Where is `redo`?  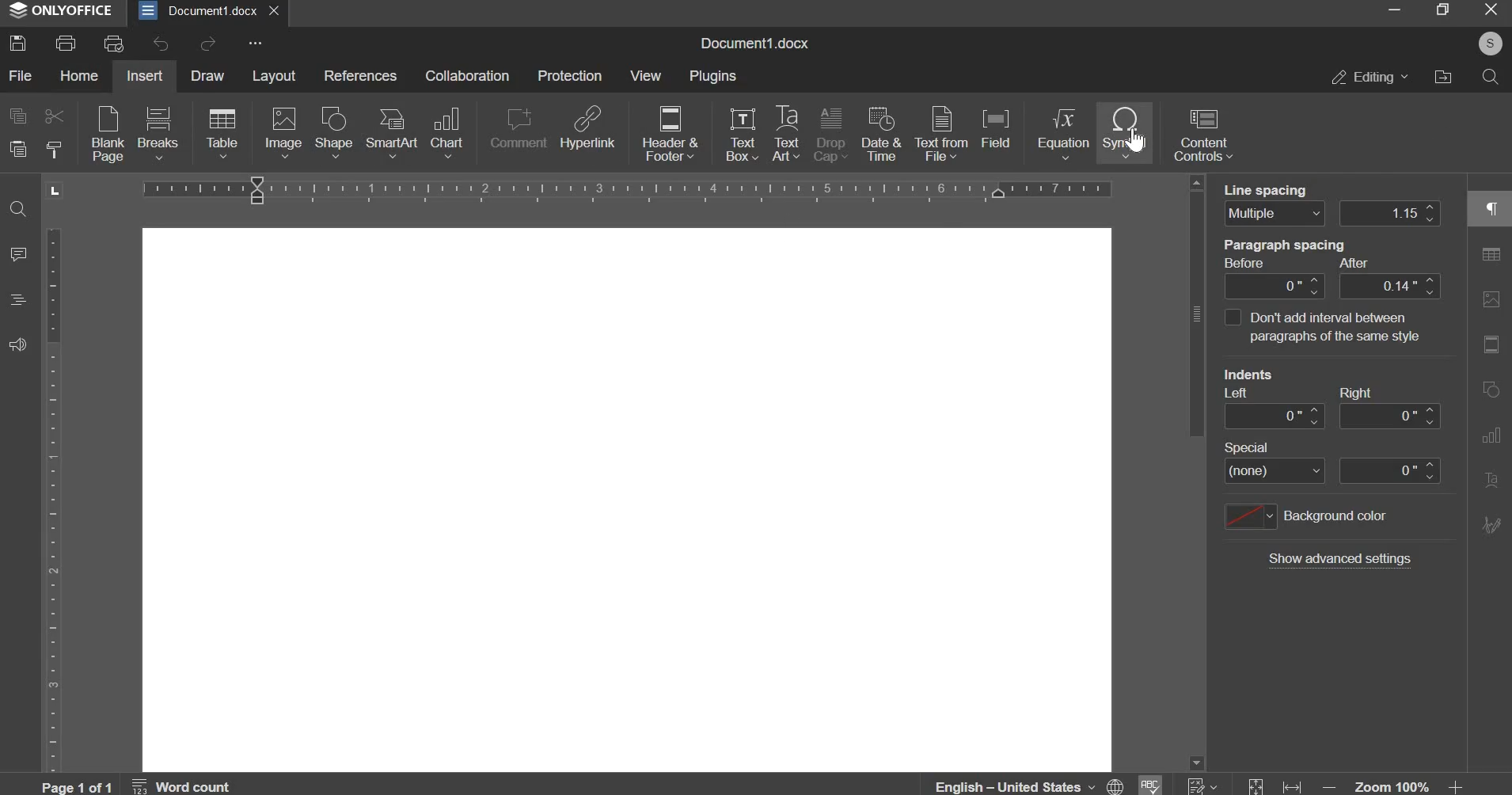 redo is located at coordinates (208, 44).